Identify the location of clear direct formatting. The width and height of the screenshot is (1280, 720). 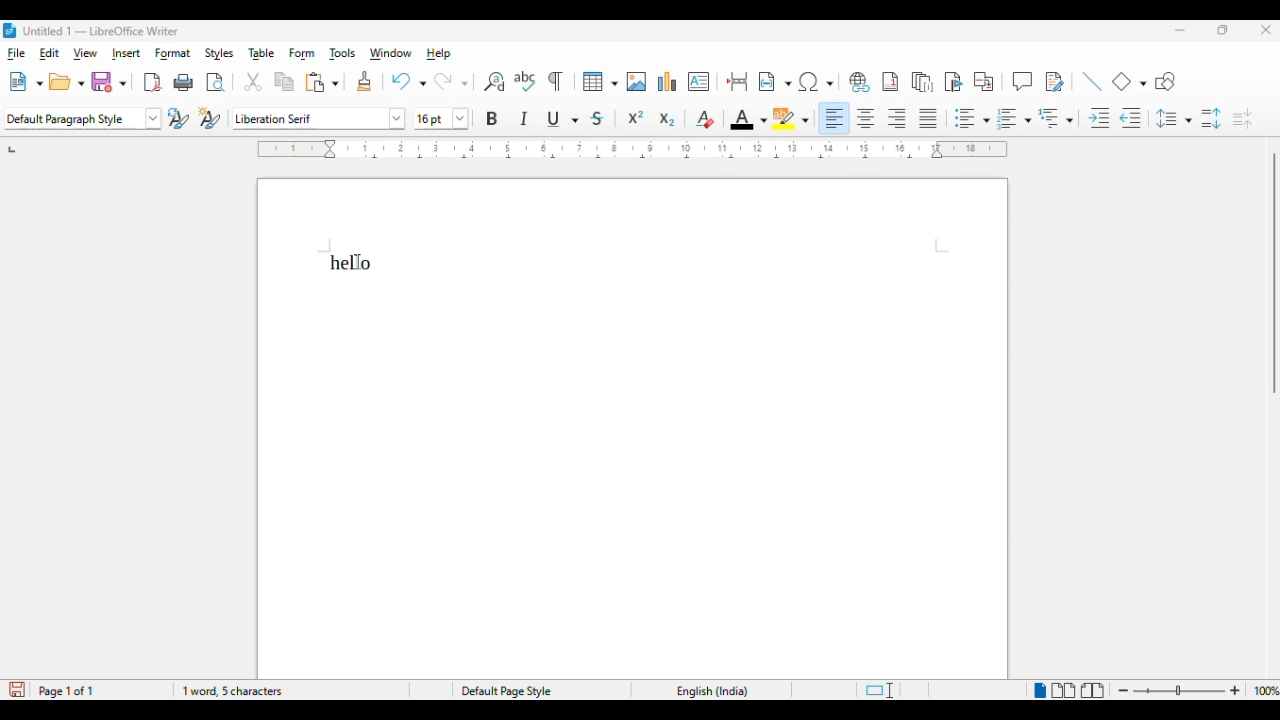
(704, 119).